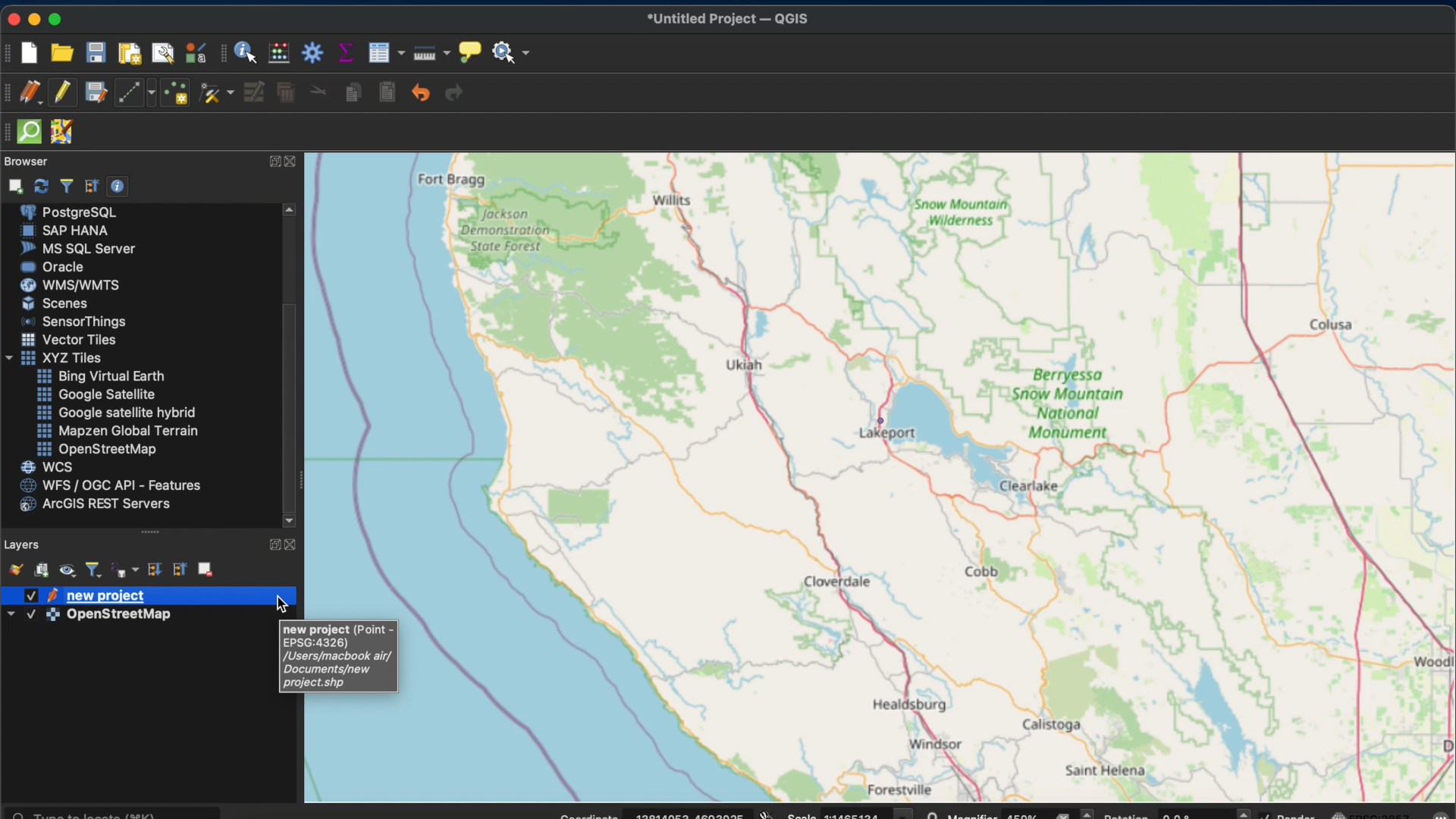 The image size is (1456, 819). What do you see at coordinates (256, 58) in the screenshot?
I see `cursor` at bounding box center [256, 58].